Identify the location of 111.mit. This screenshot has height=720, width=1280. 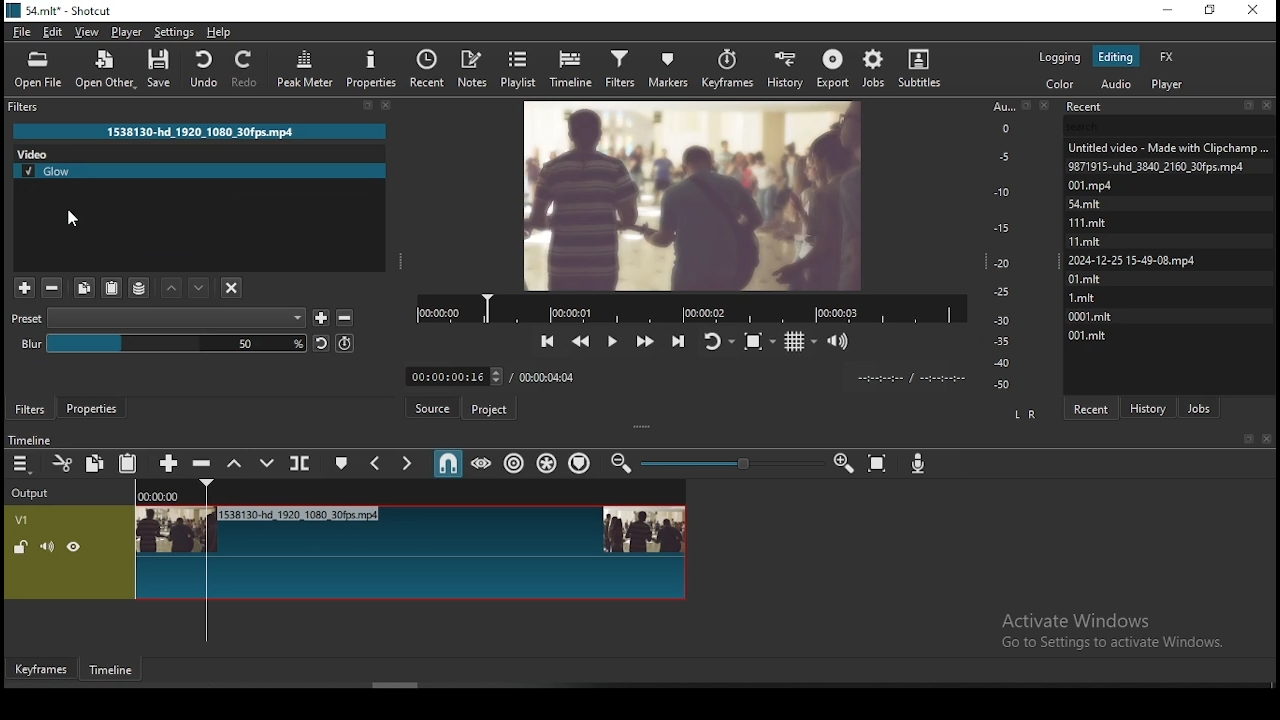
(1100, 222).